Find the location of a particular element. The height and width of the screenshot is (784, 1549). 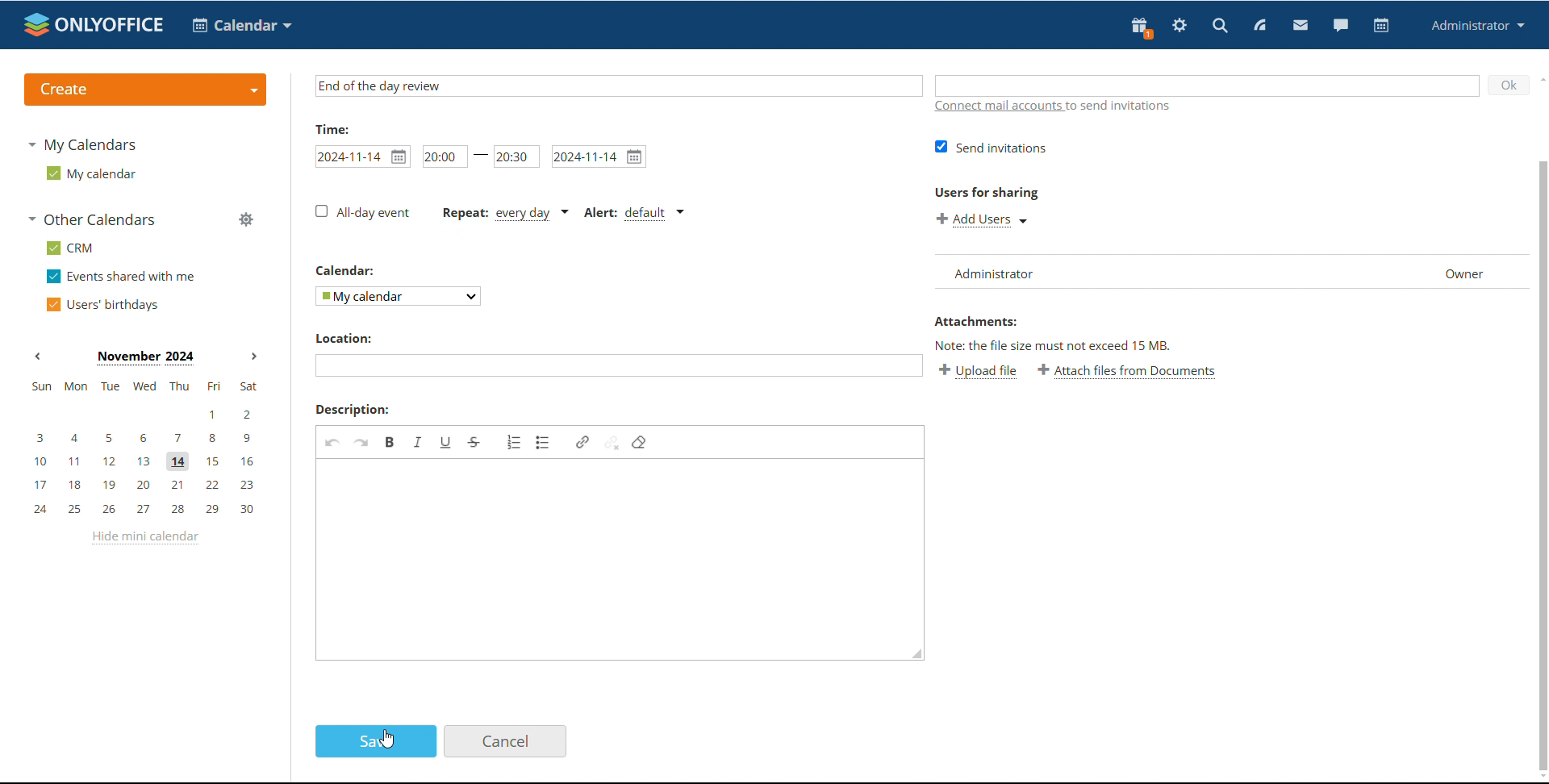

bold is located at coordinates (390, 441).